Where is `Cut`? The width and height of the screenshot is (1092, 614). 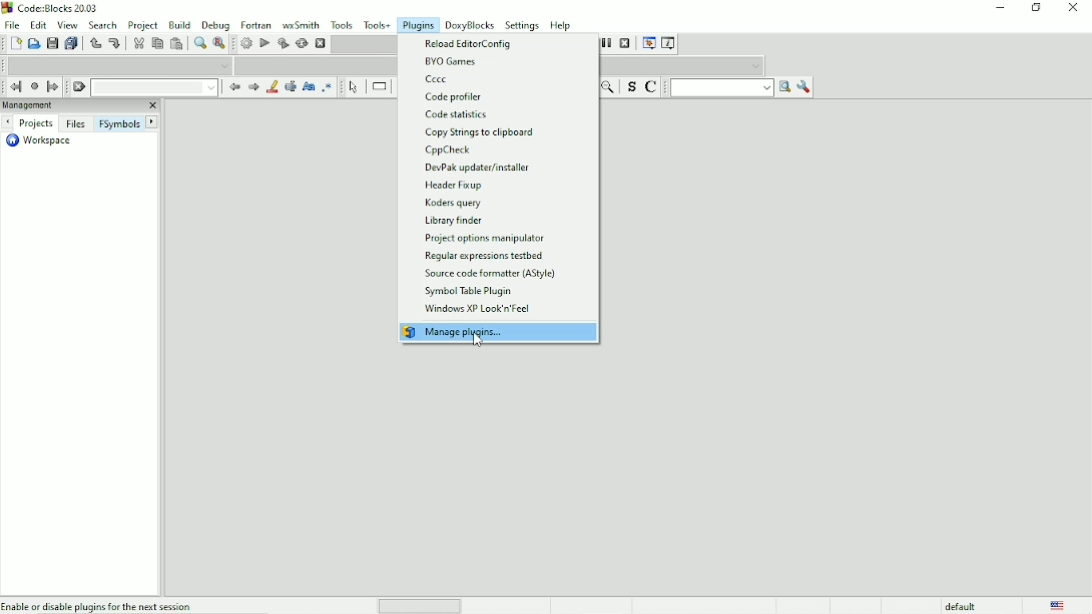
Cut is located at coordinates (137, 43).